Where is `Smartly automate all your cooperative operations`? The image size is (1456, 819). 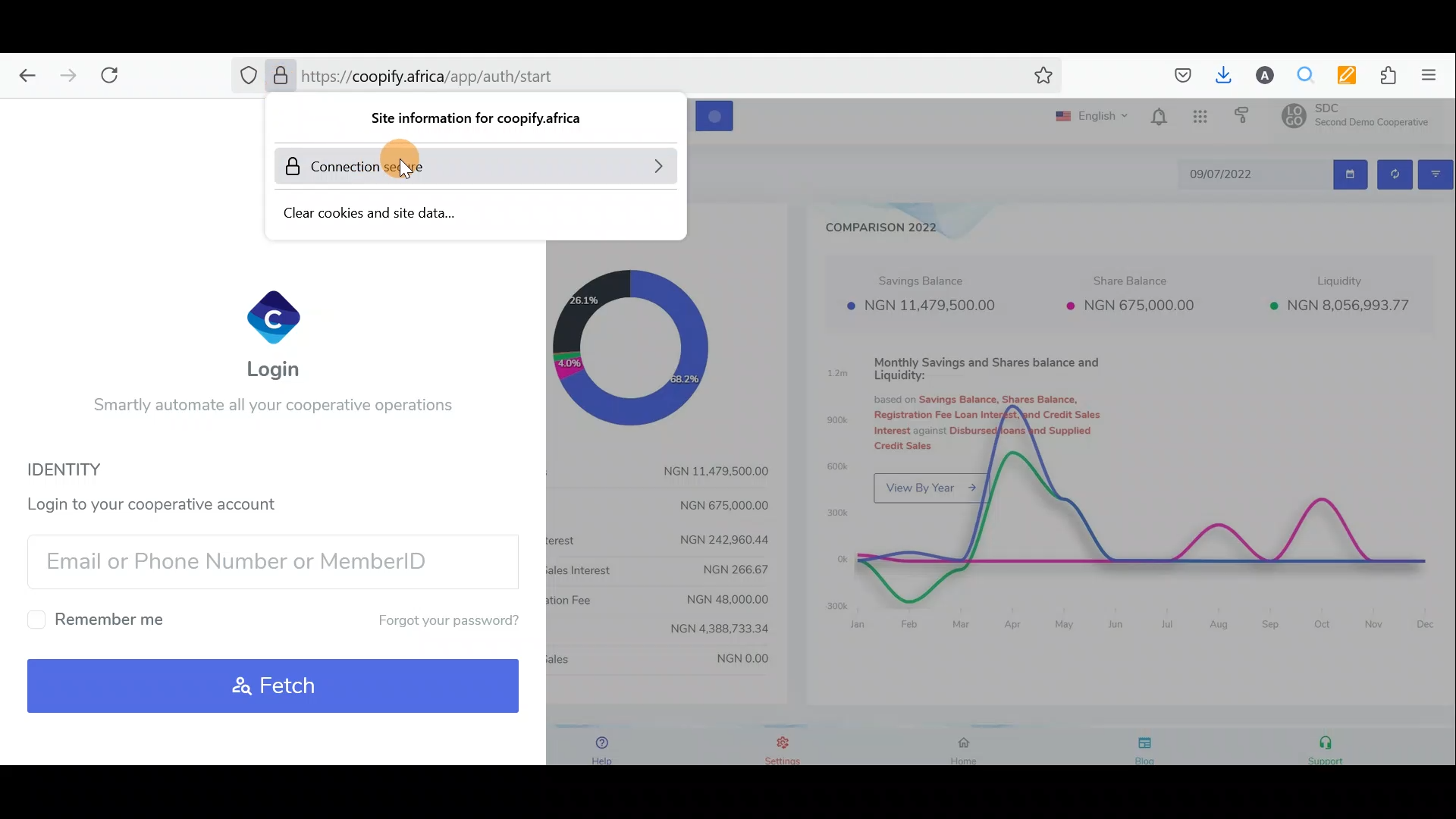
Smartly automate all your cooperative operations is located at coordinates (271, 409).